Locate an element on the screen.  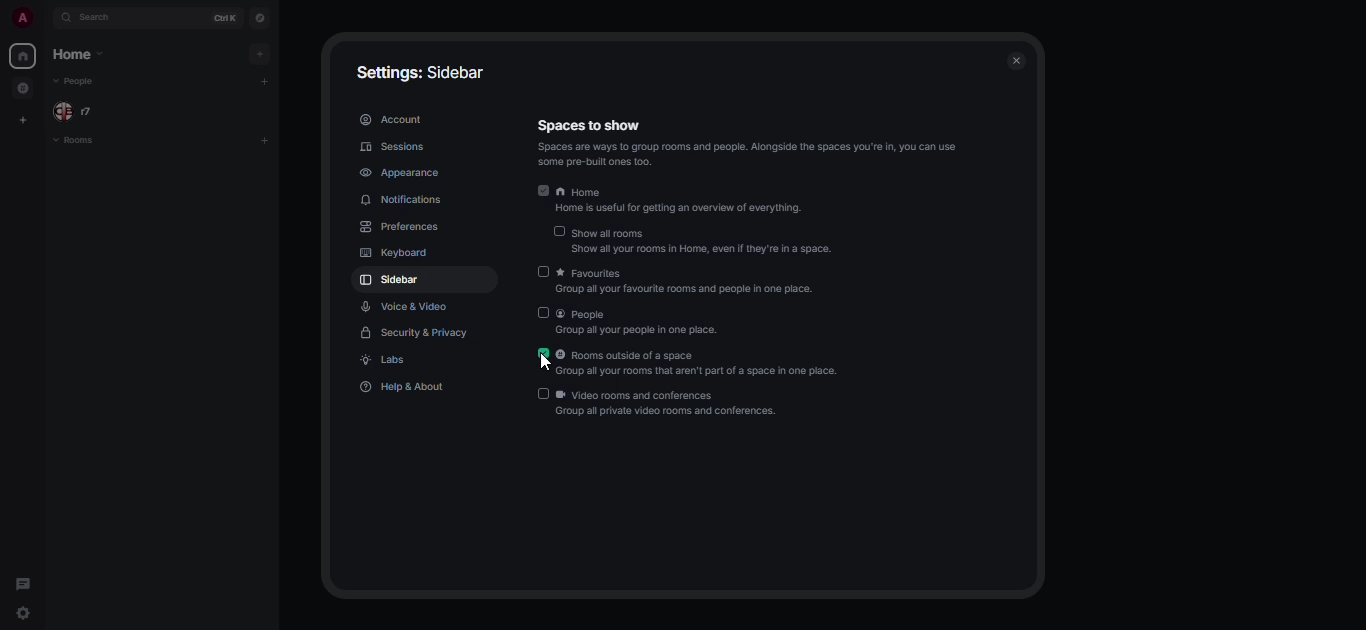
threads is located at coordinates (24, 585).